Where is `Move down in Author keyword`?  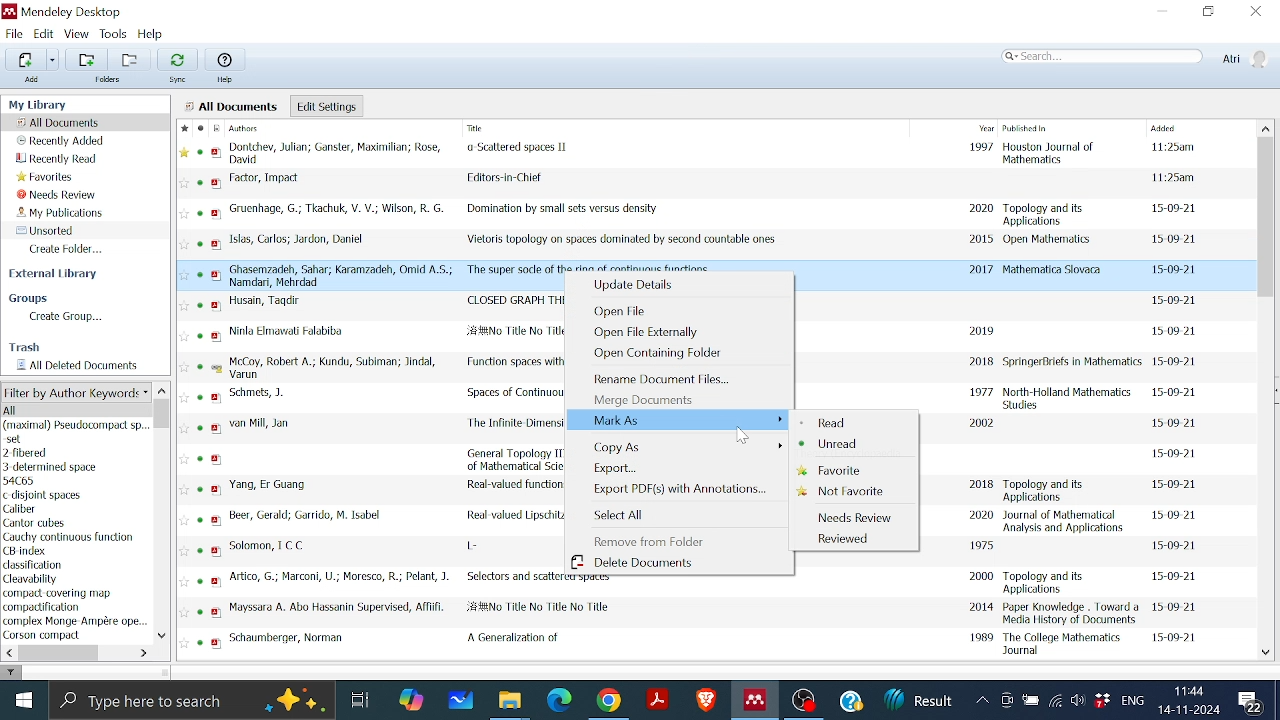 Move down in Author keyword is located at coordinates (161, 633).